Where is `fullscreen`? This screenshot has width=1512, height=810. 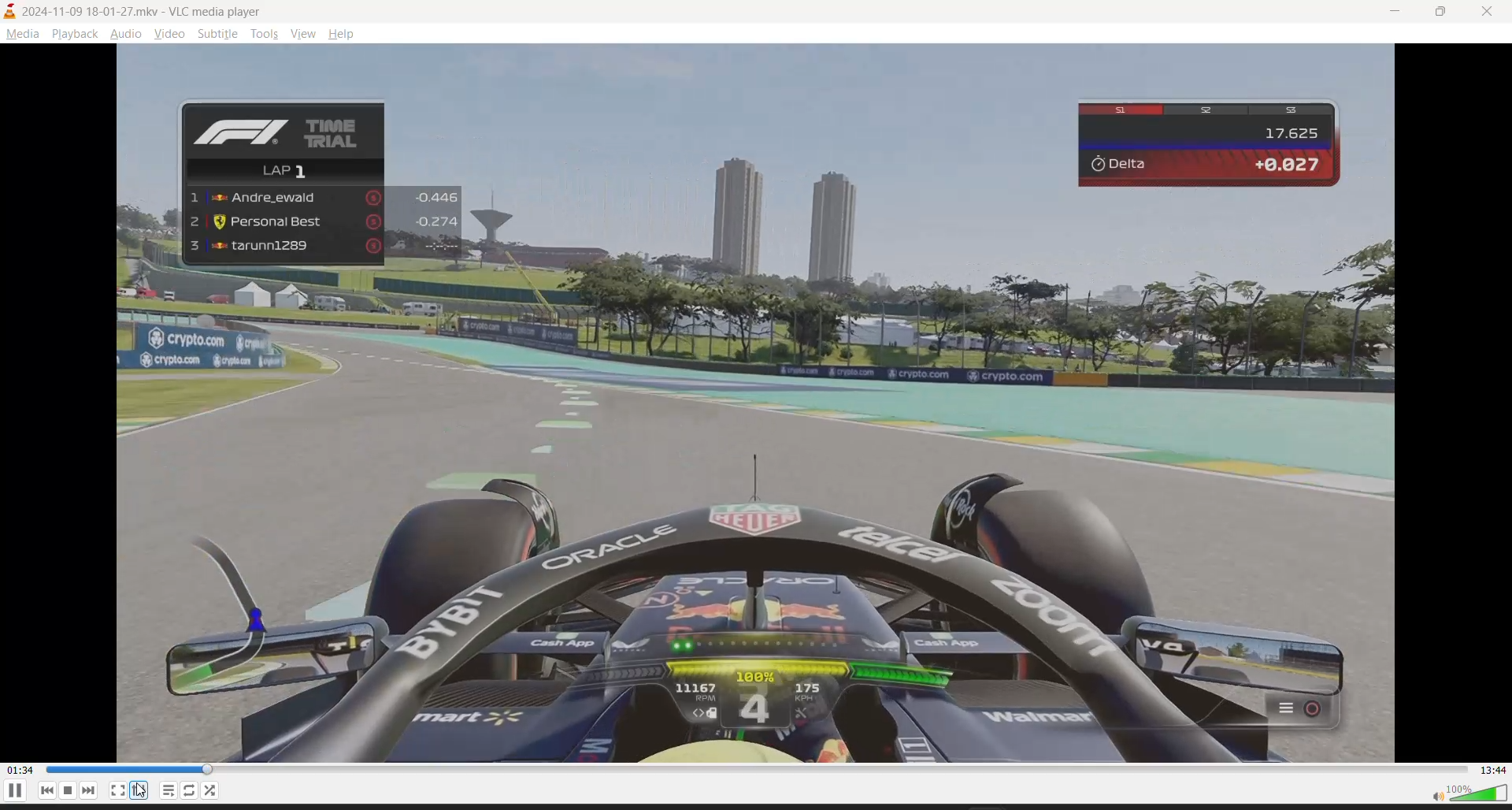
fullscreen is located at coordinates (117, 790).